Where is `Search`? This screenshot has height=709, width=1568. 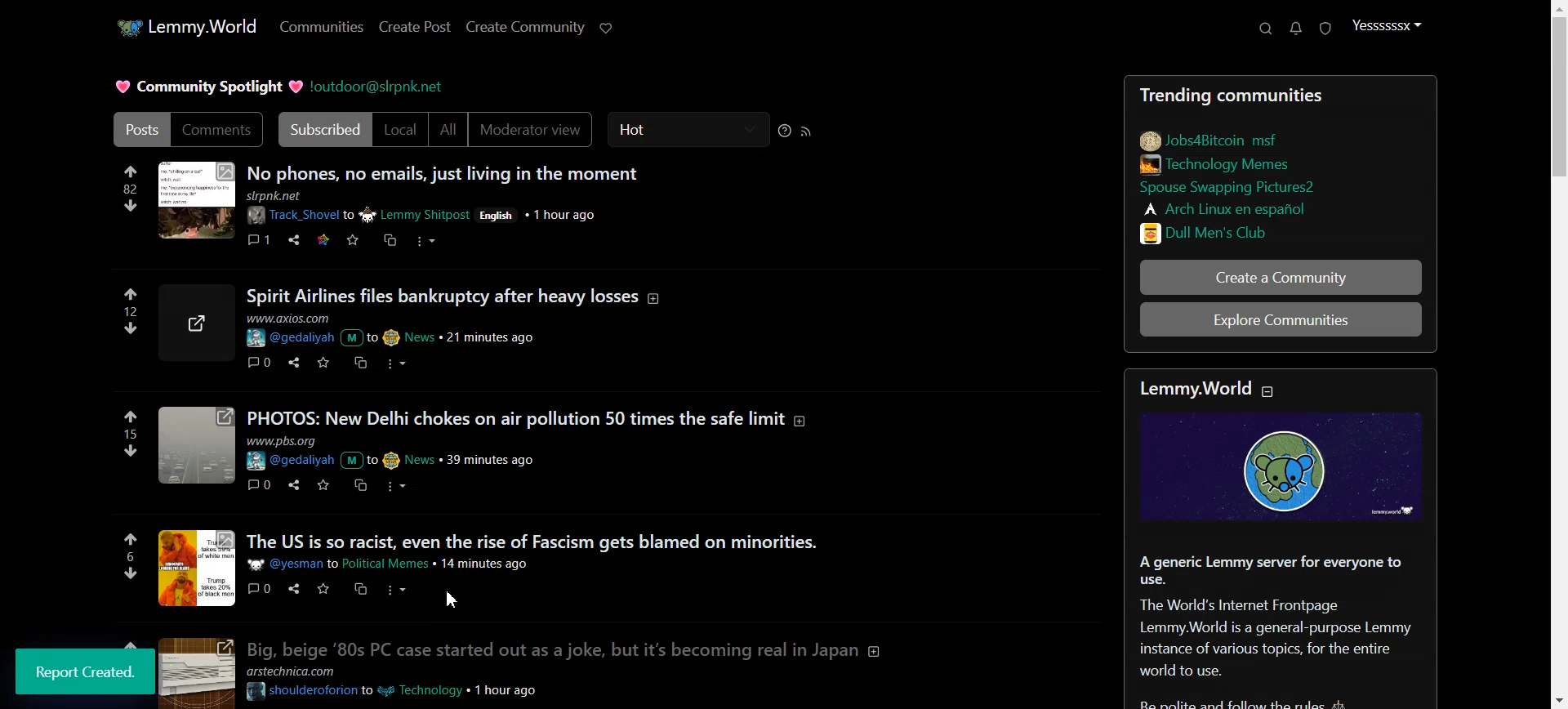
Search is located at coordinates (1265, 29).